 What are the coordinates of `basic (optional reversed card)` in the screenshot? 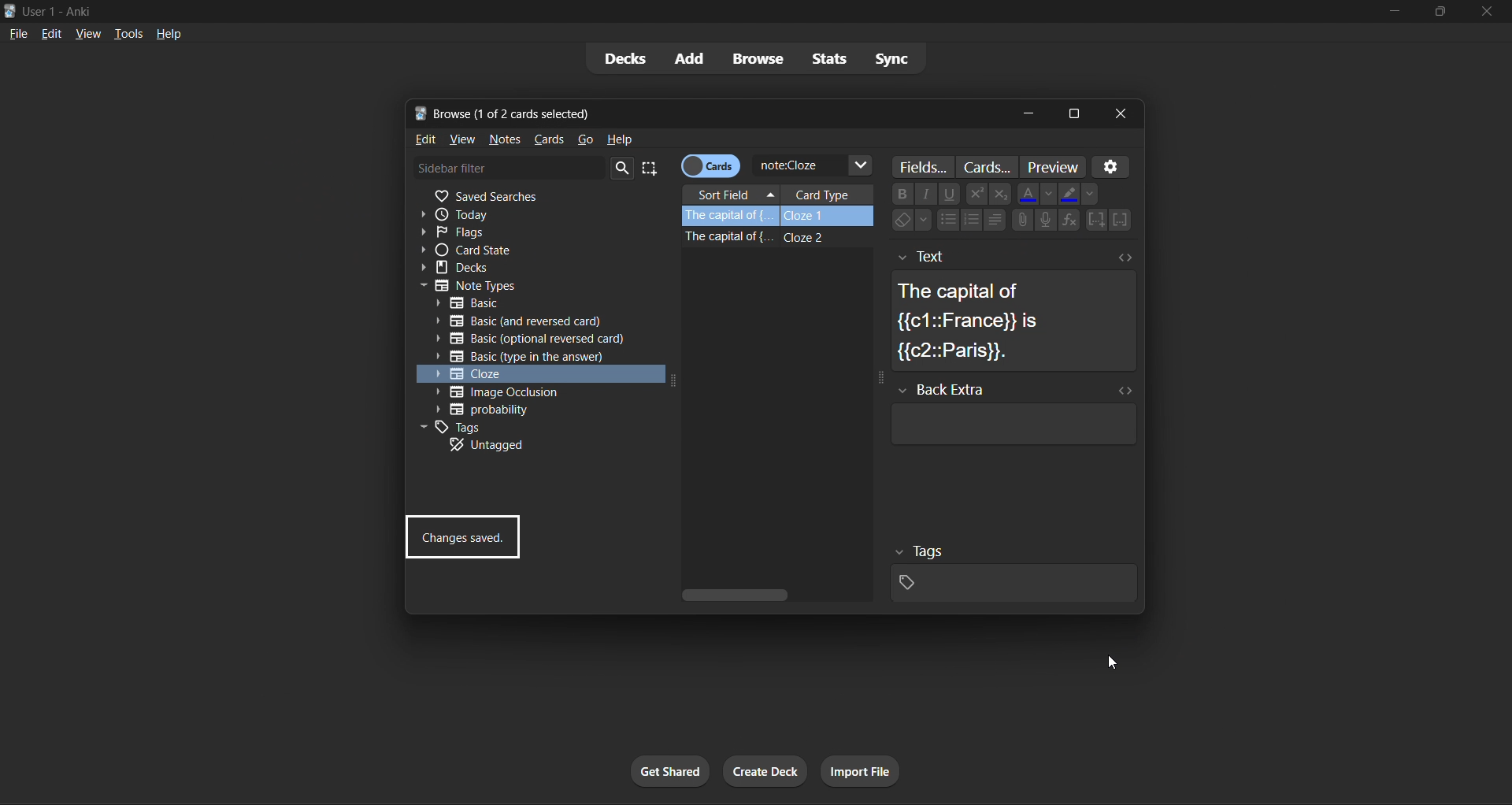 It's located at (530, 339).